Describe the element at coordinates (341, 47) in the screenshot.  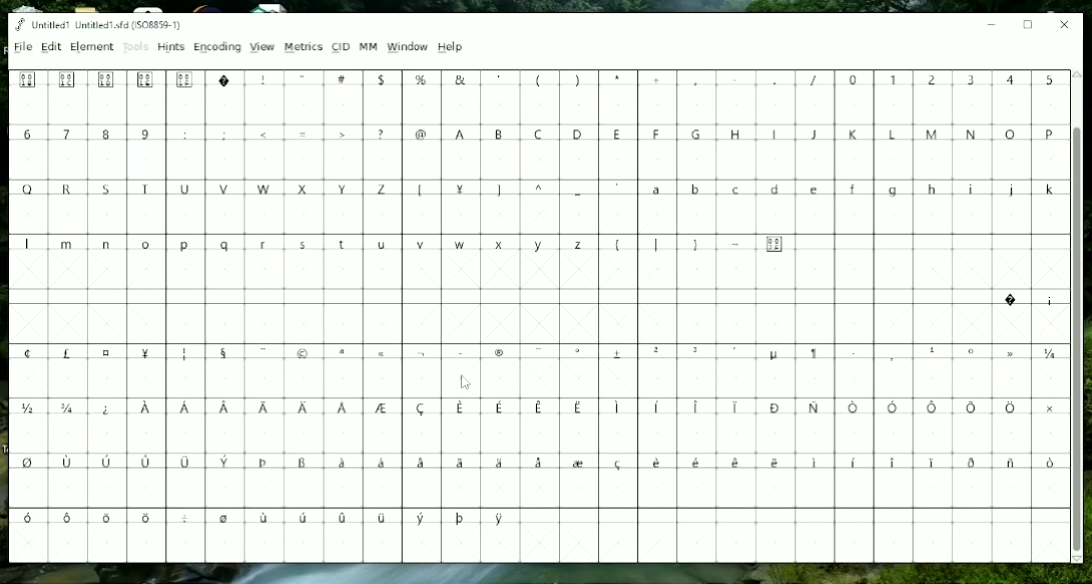
I see `CID` at that location.